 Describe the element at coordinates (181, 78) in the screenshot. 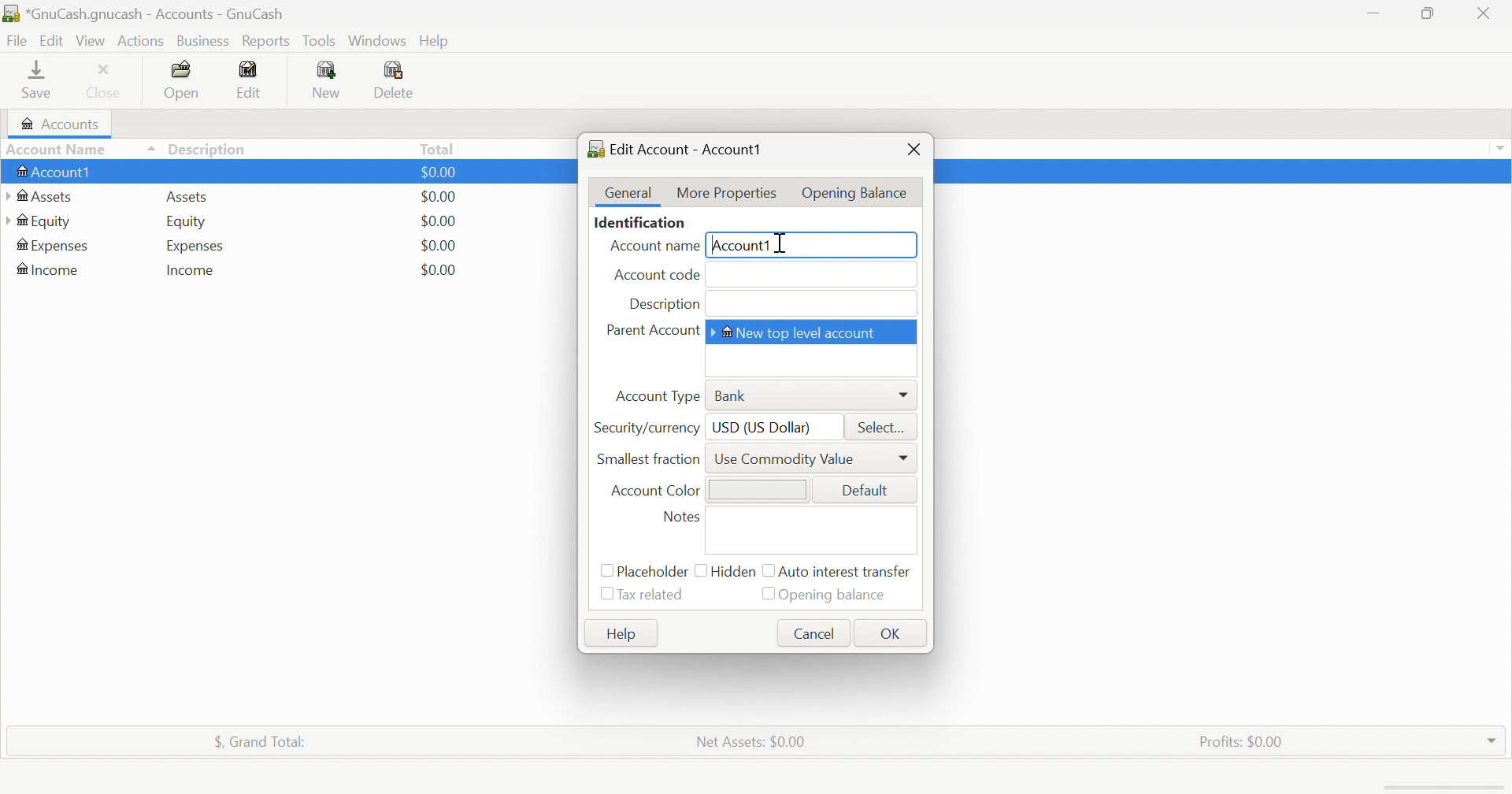

I see `Open` at that location.